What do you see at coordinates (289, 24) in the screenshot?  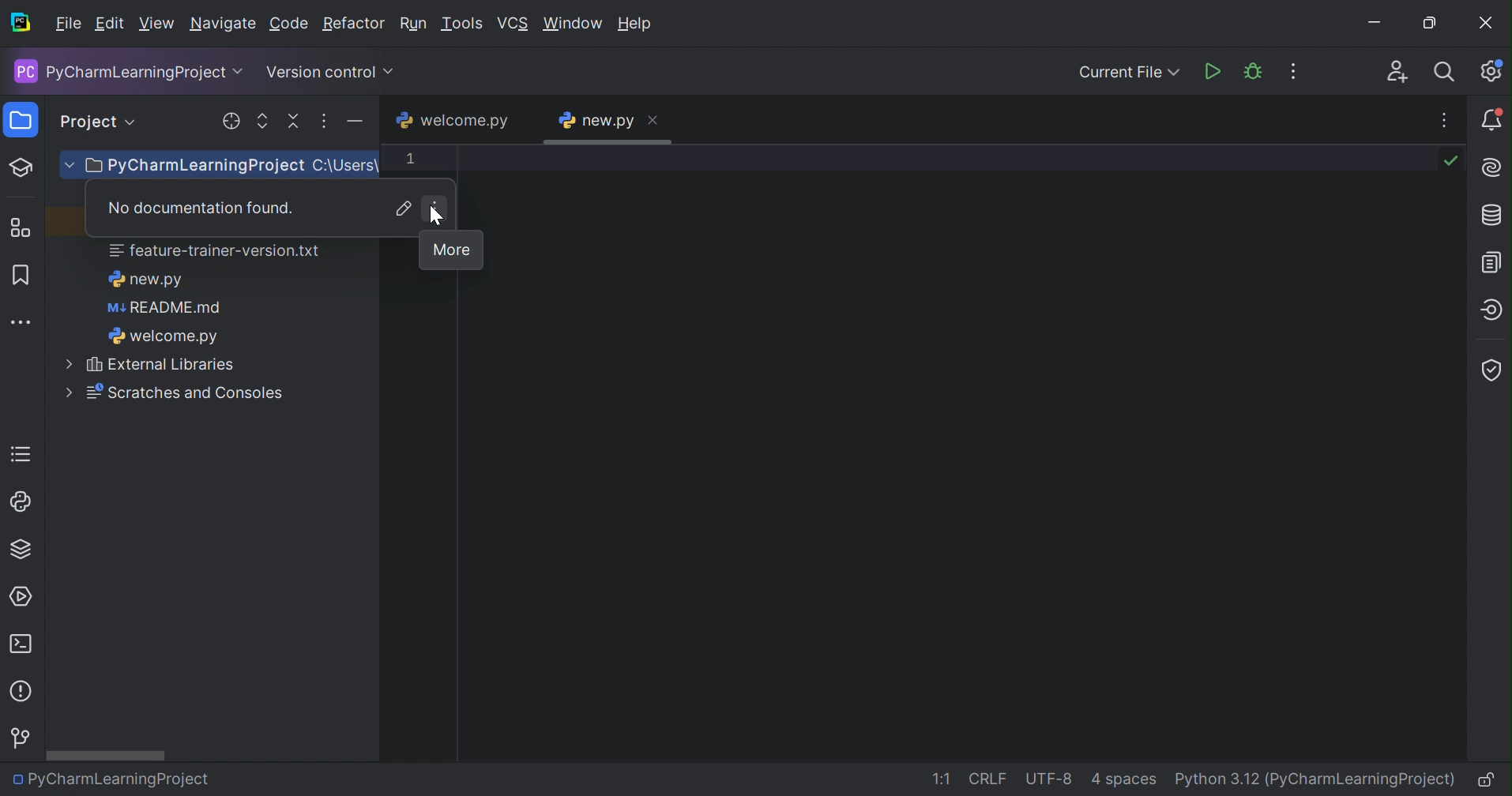 I see `Code` at bounding box center [289, 24].